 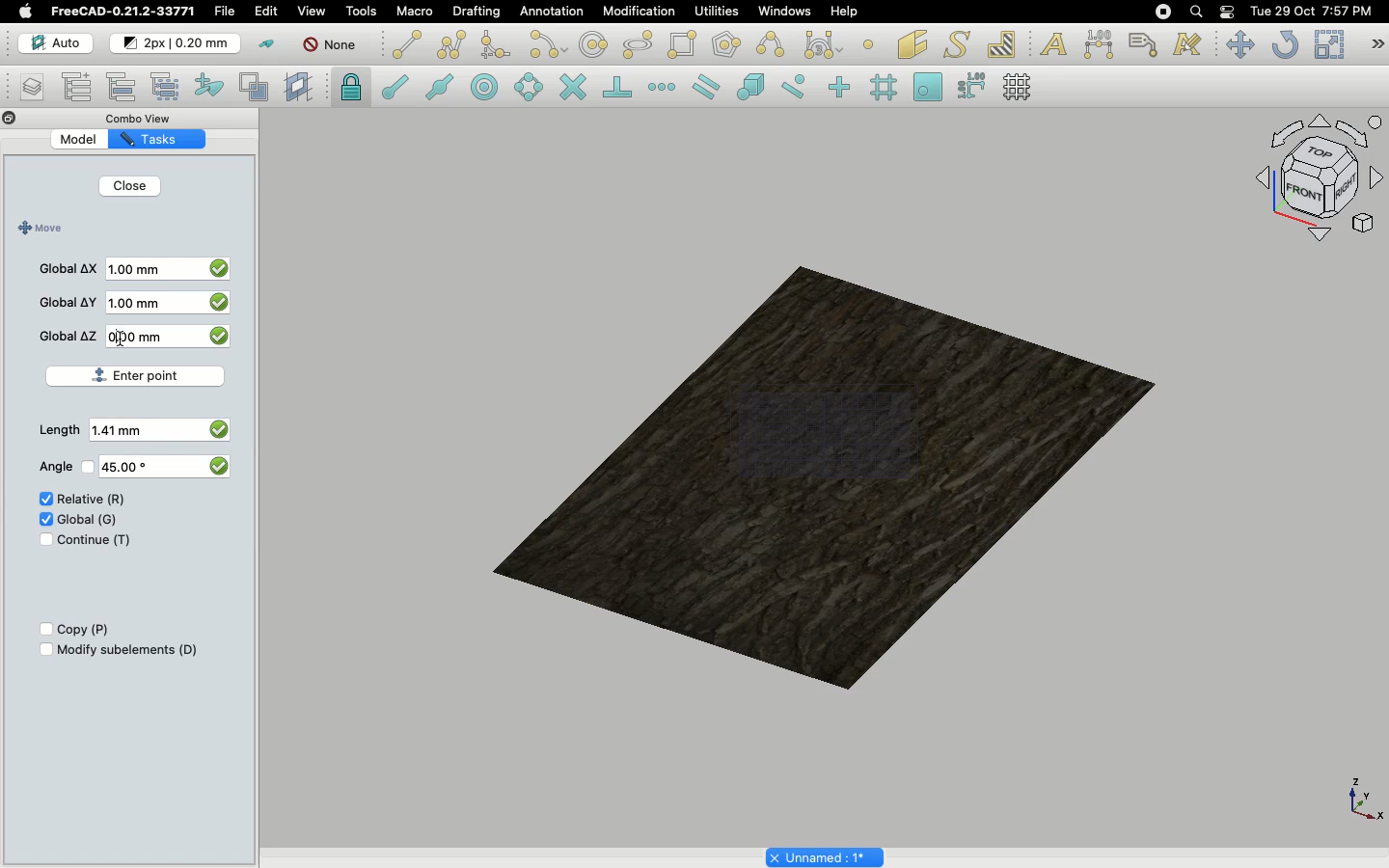 I want to click on Combo view, so click(x=149, y=118).